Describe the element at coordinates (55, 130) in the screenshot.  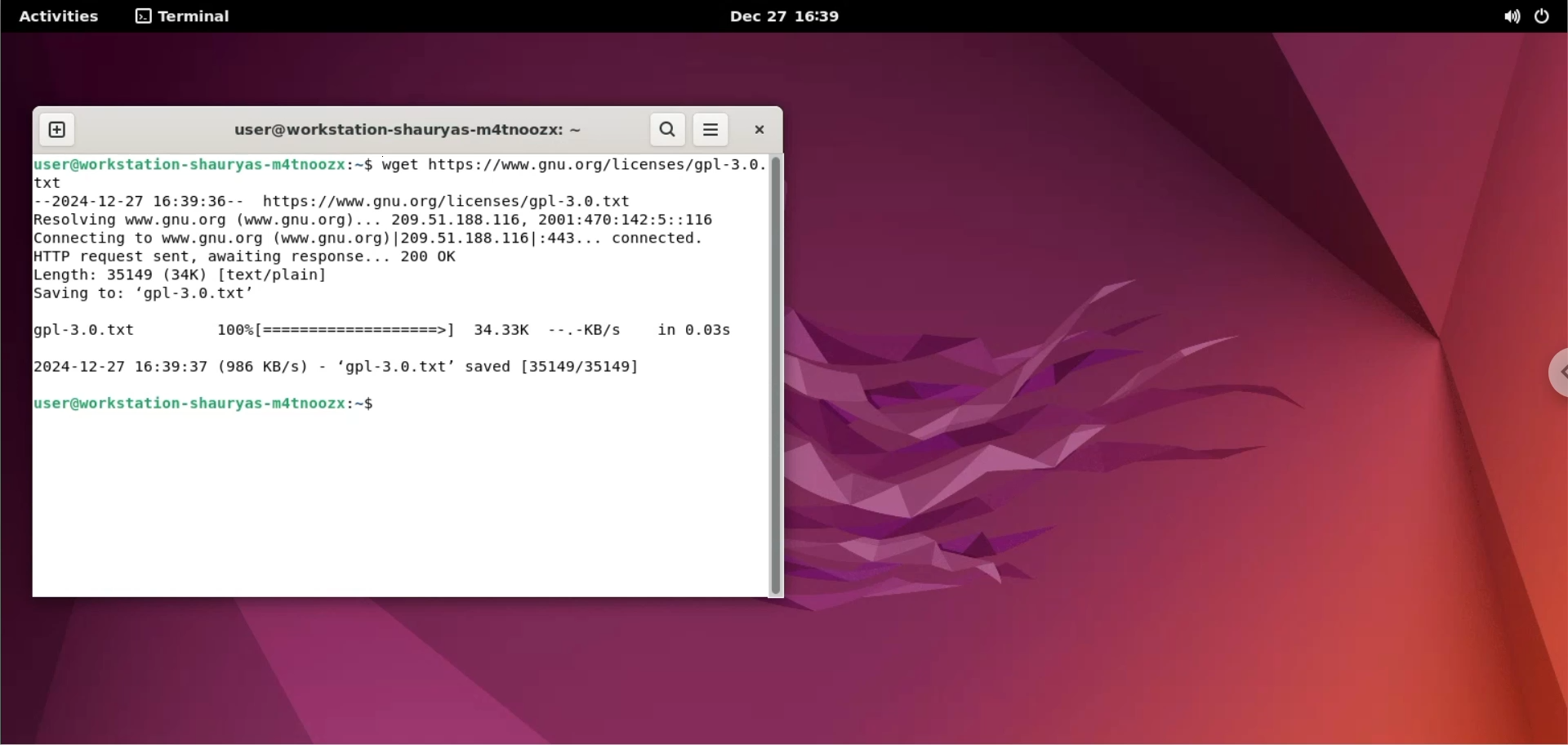
I see `new tab` at that location.